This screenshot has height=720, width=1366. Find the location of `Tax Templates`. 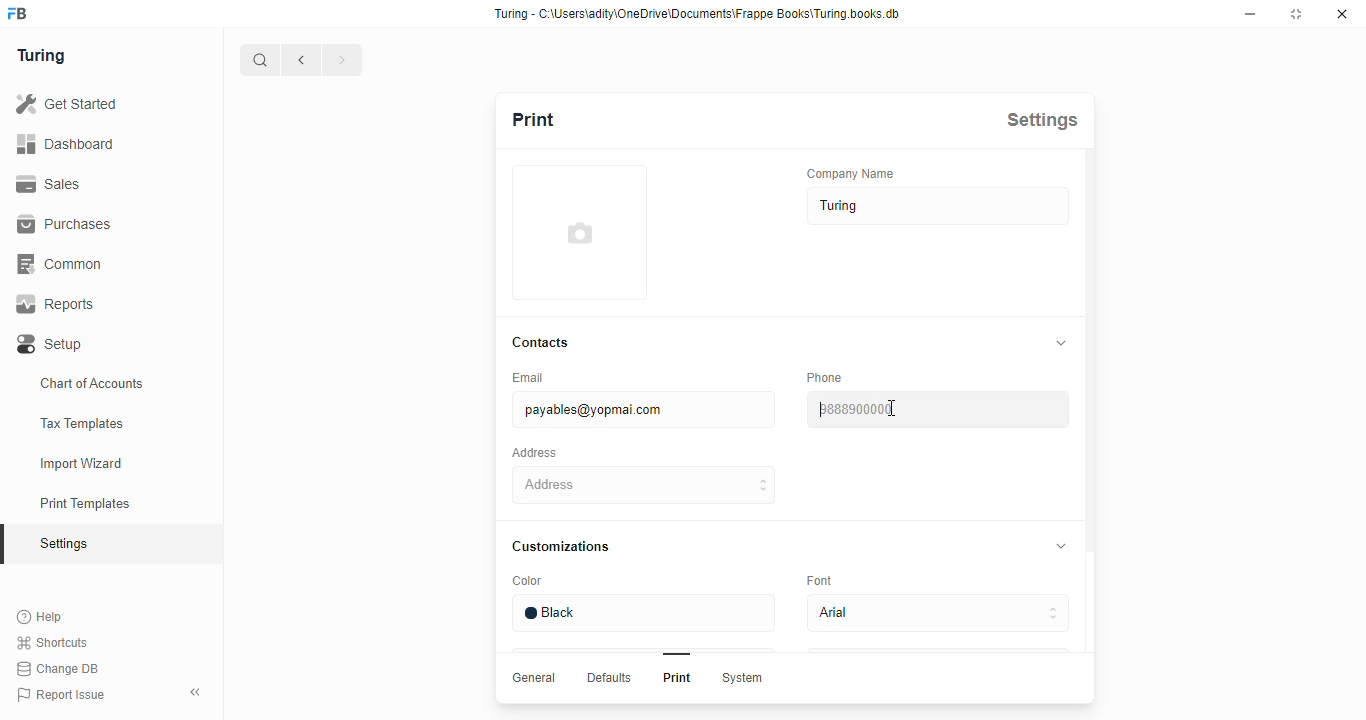

Tax Templates is located at coordinates (92, 421).